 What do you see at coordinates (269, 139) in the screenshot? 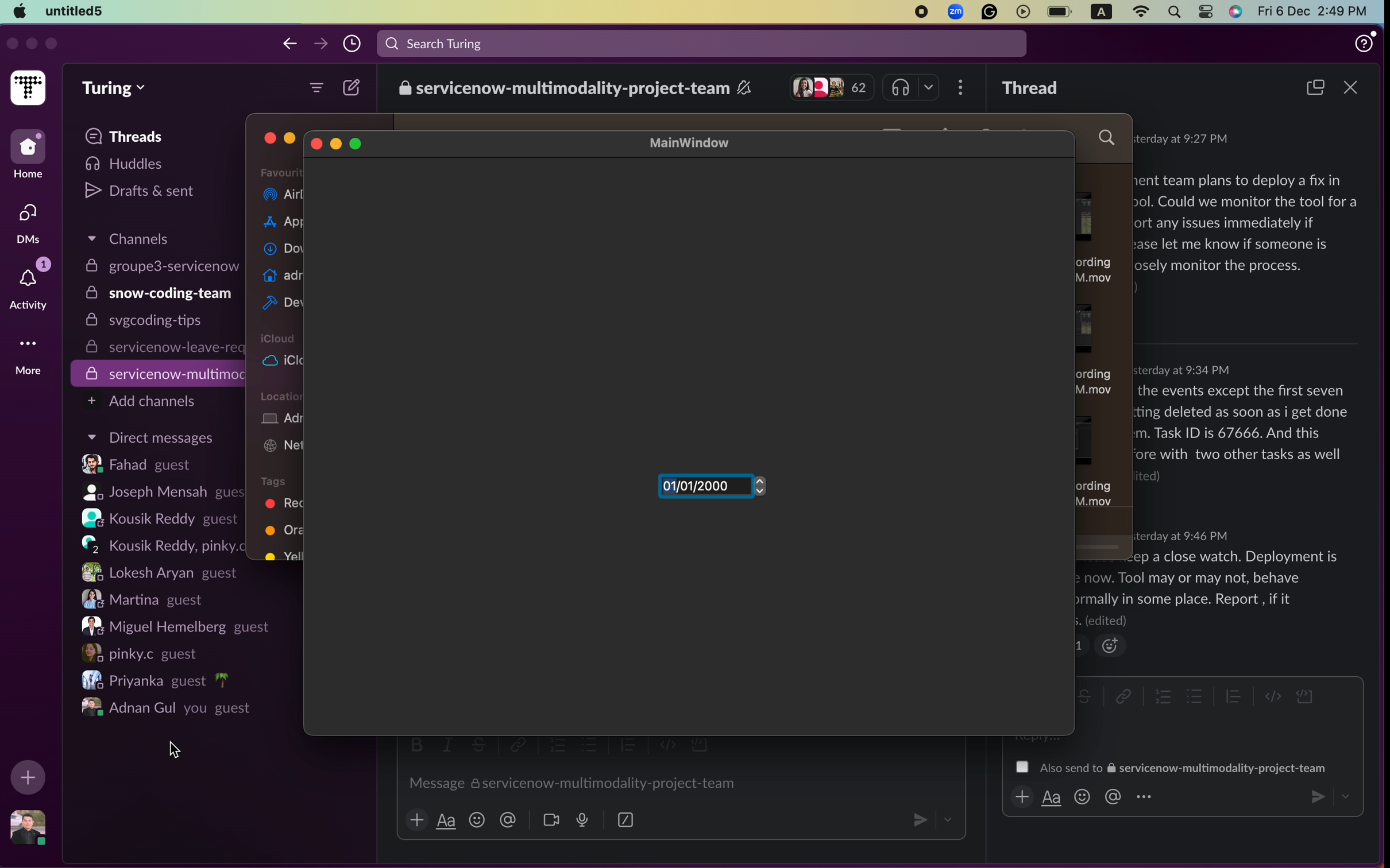
I see `close` at bounding box center [269, 139].